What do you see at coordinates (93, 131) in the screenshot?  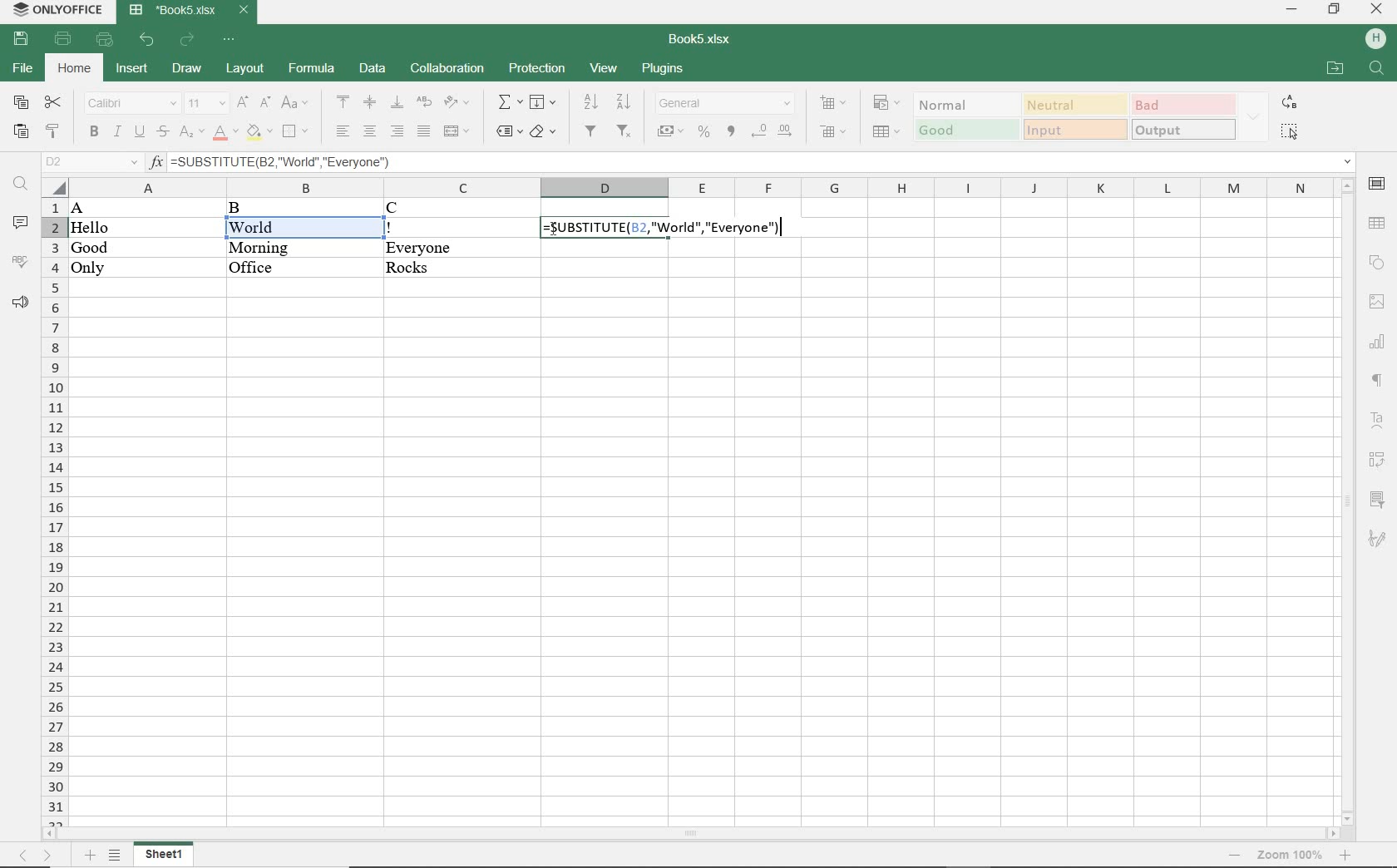 I see `bold` at bounding box center [93, 131].